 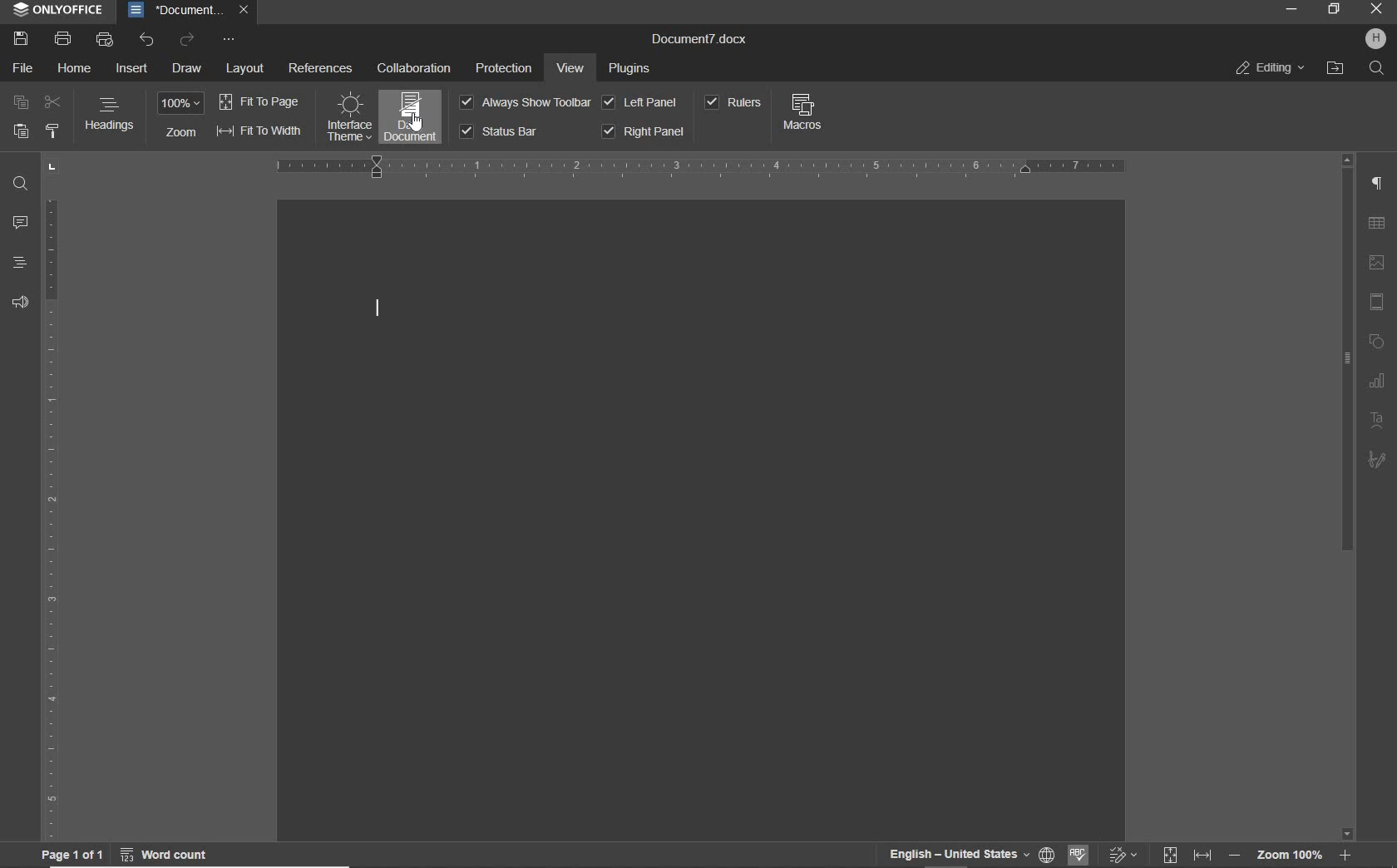 What do you see at coordinates (499, 131) in the screenshot?
I see `STATUS BBAR` at bounding box center [499, 131].